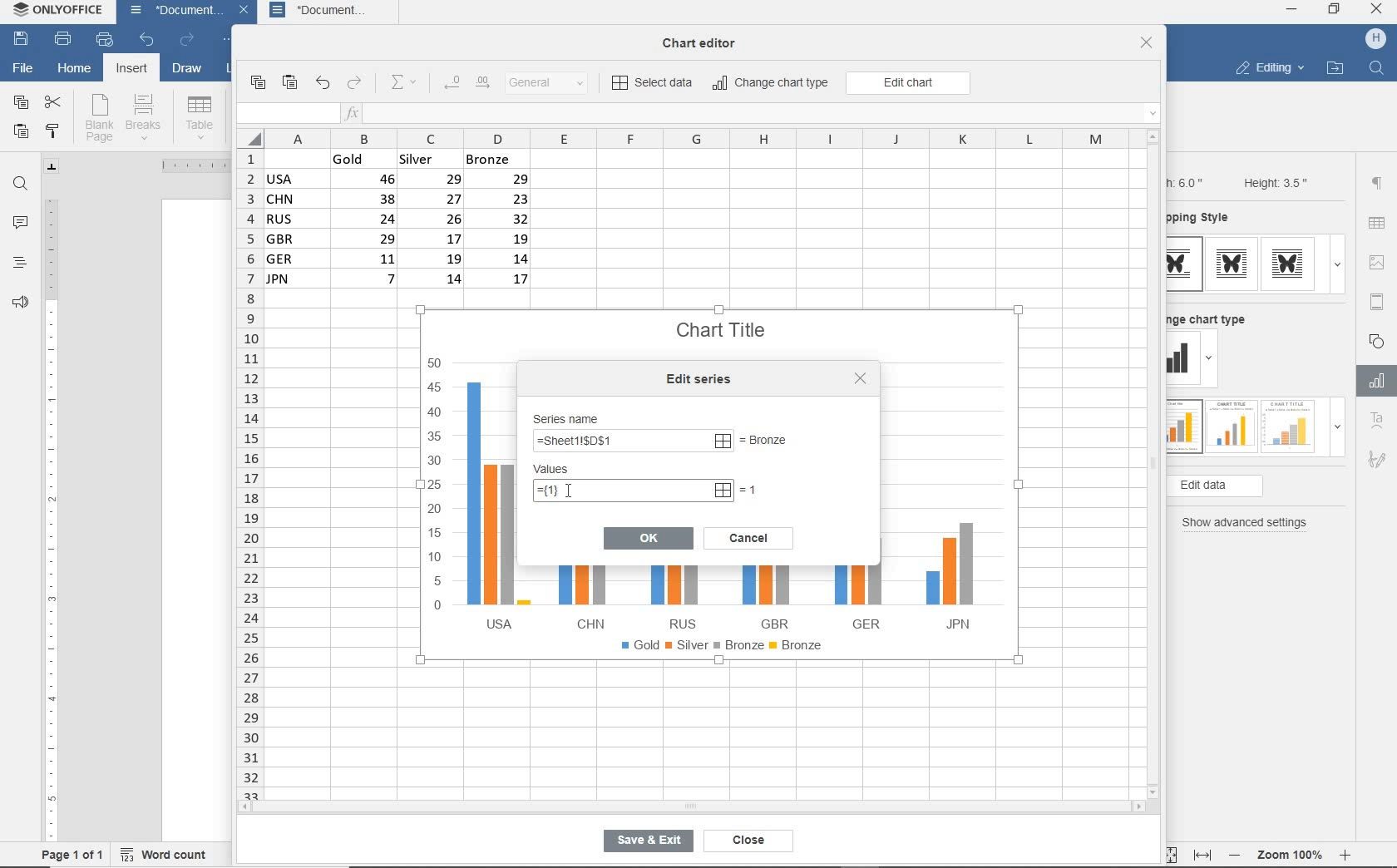  I want to click on header & footer, so click(1376, 301).